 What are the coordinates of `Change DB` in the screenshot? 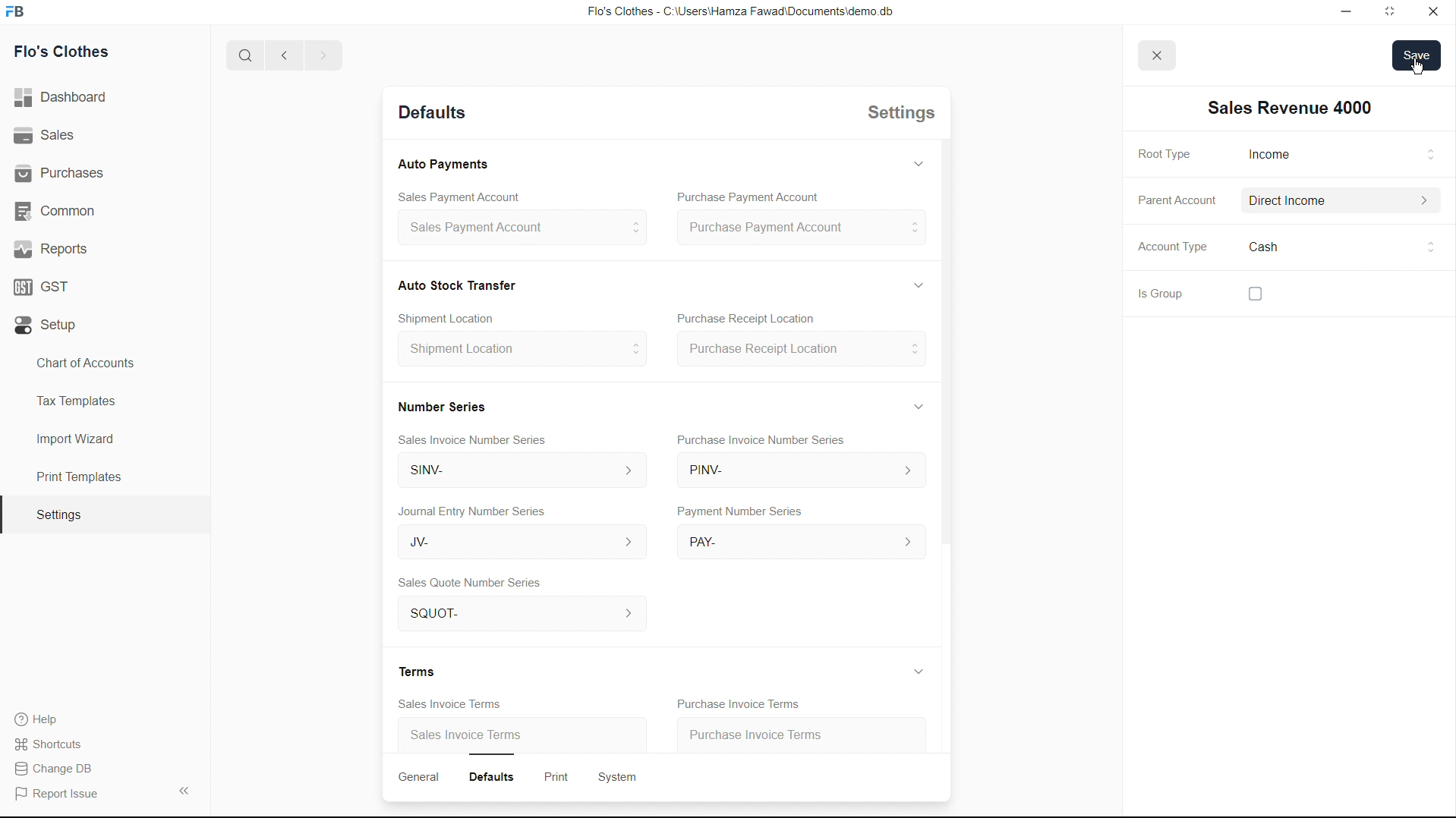 It's located at (58, 769).